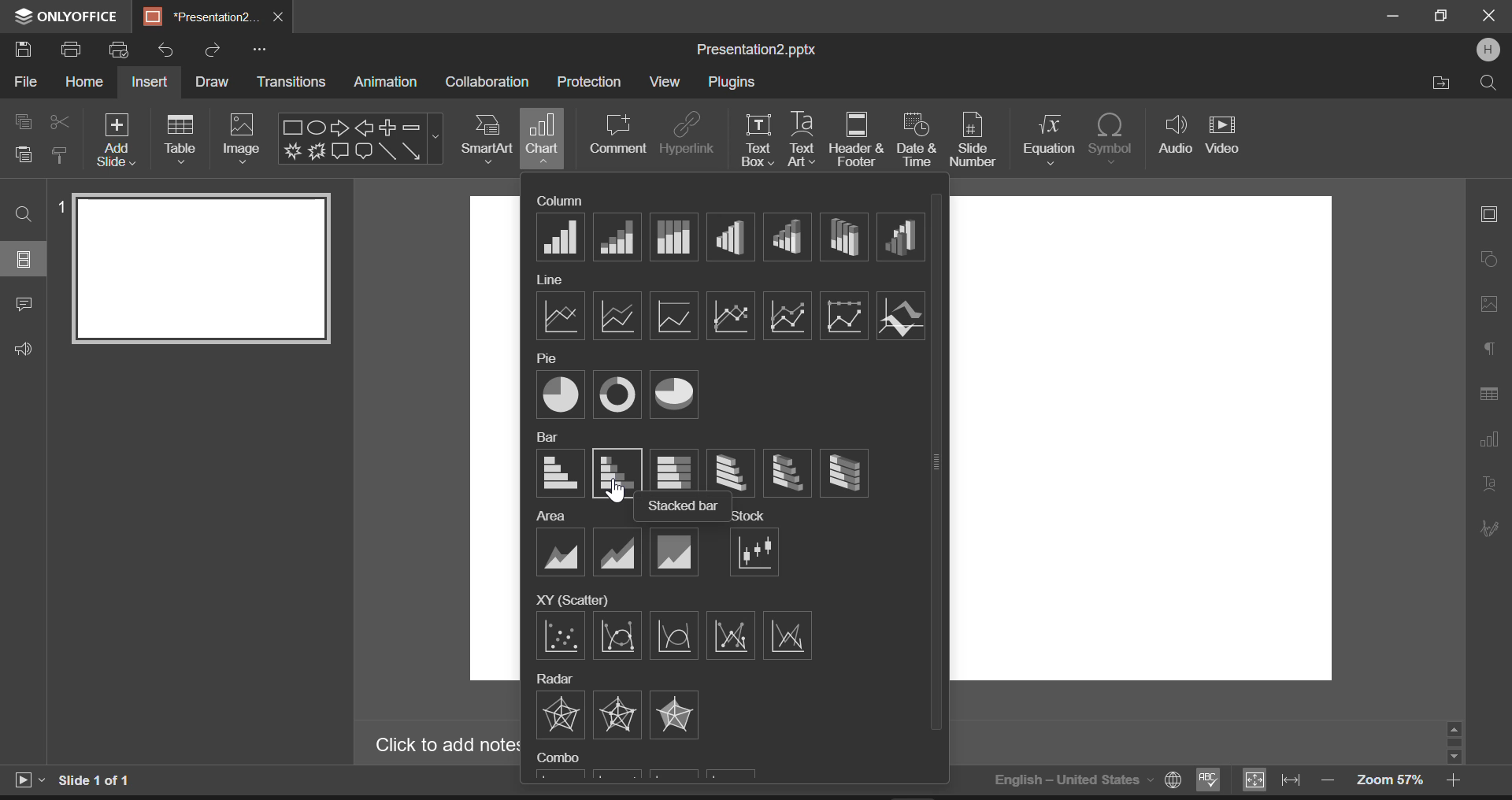  I want to click on 3-D Column, so click(899, 237).